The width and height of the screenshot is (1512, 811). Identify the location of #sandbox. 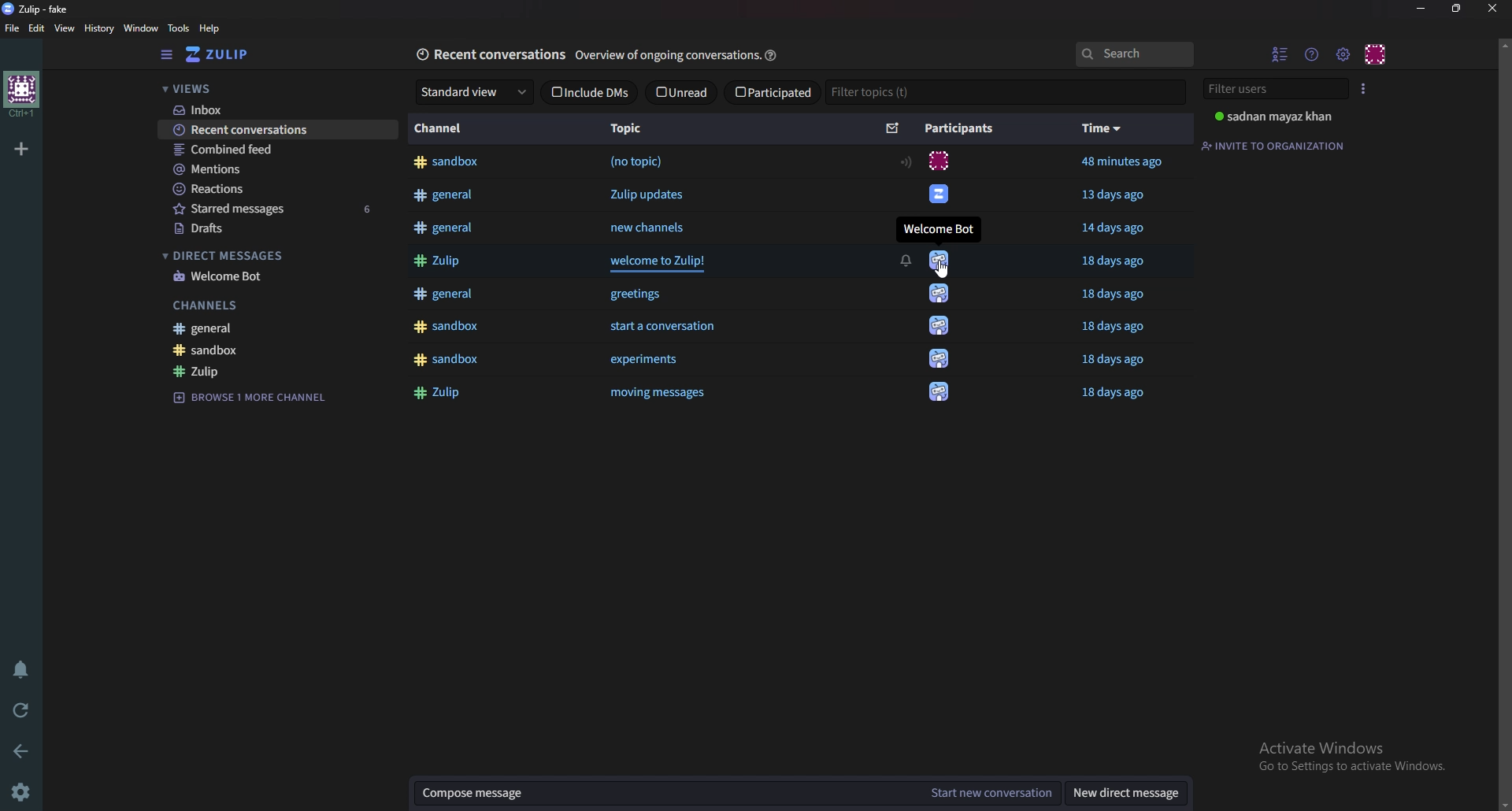
(447, 361).